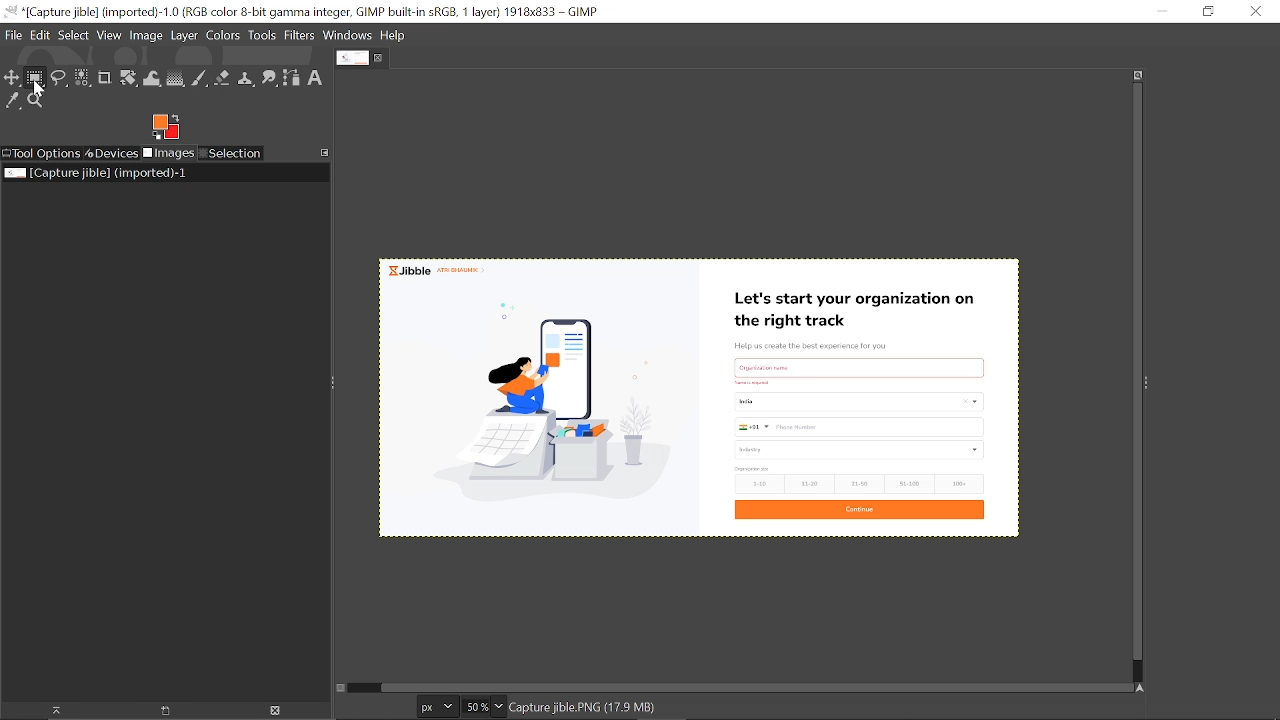 The width and height of the screenshot is (1280, 720). Describe the element at coordinates (347, 36) in the screenshot. I see `Windows` at that location.